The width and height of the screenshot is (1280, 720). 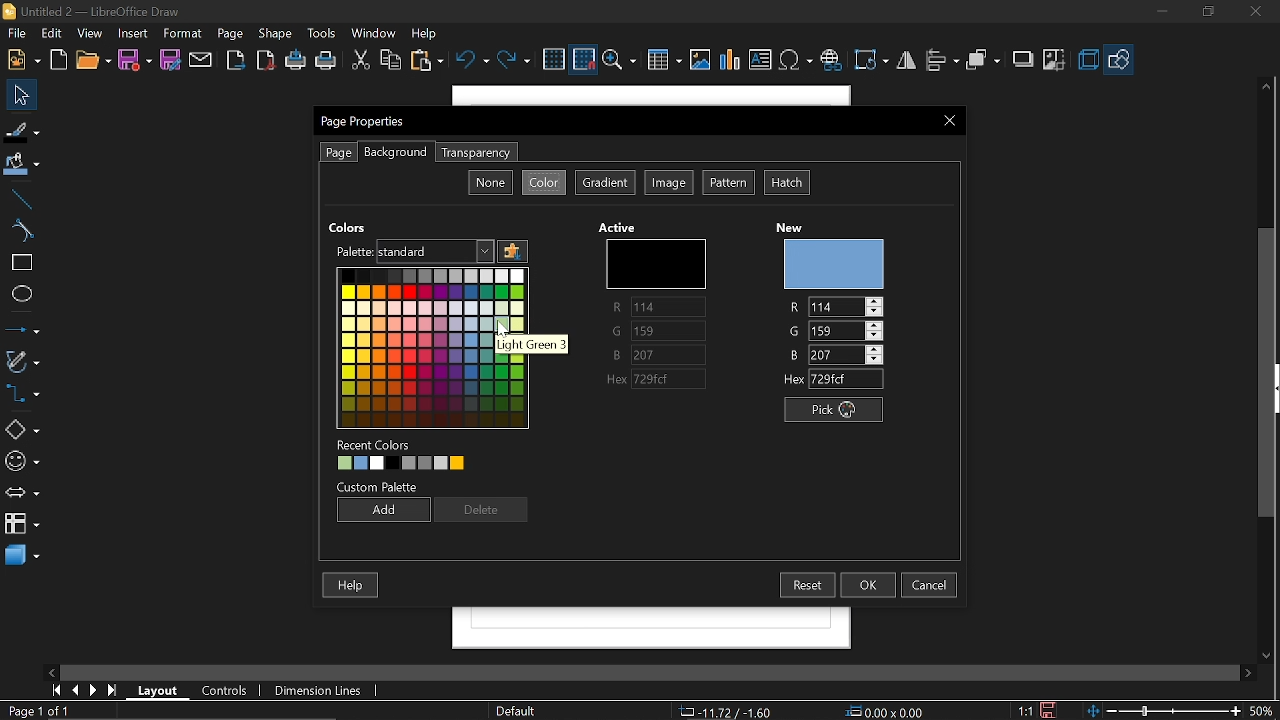 I want to click on Print, so click(x=326, y=61).